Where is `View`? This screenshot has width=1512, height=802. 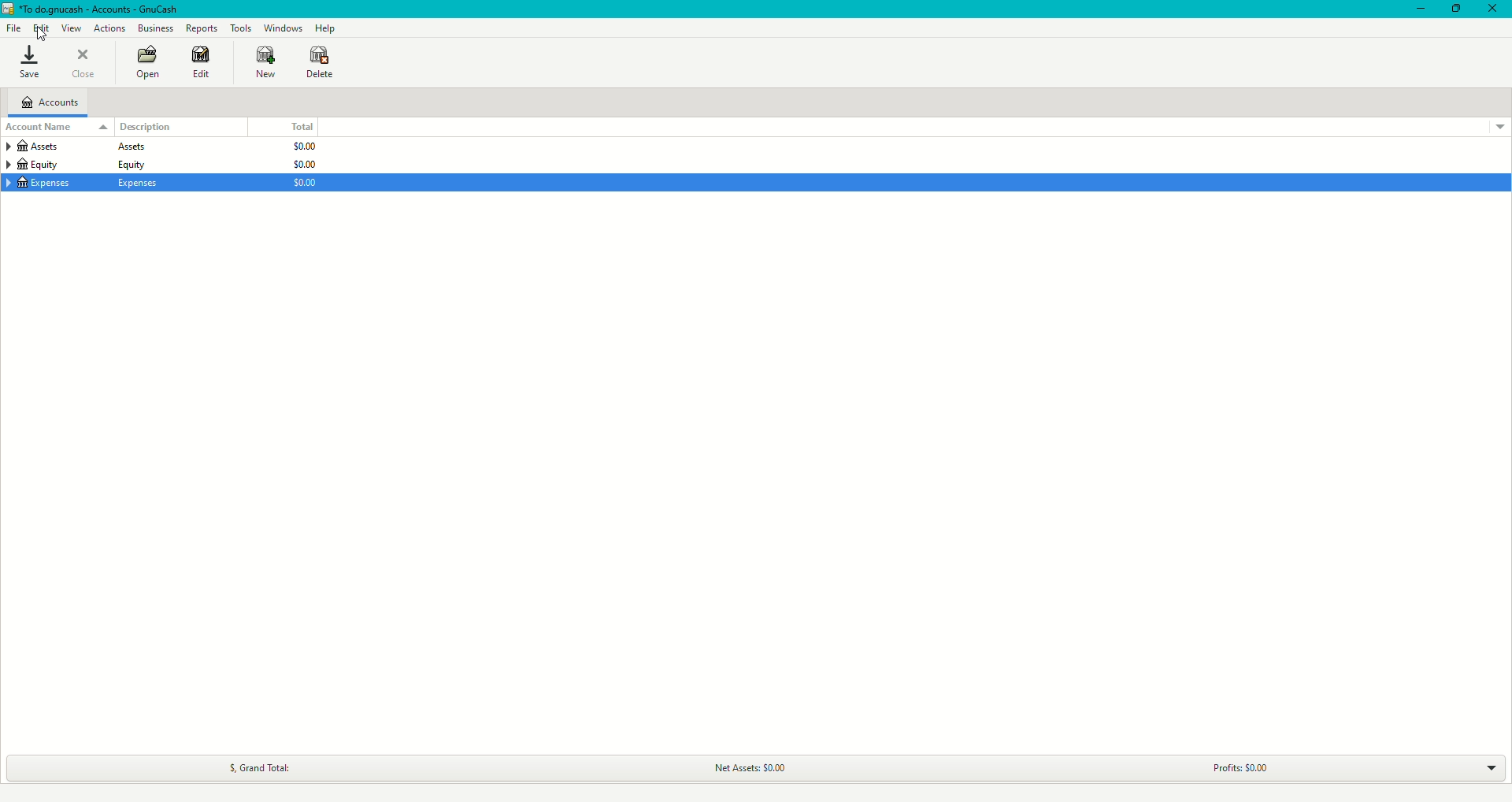
View is located at coordinates (71, 28).